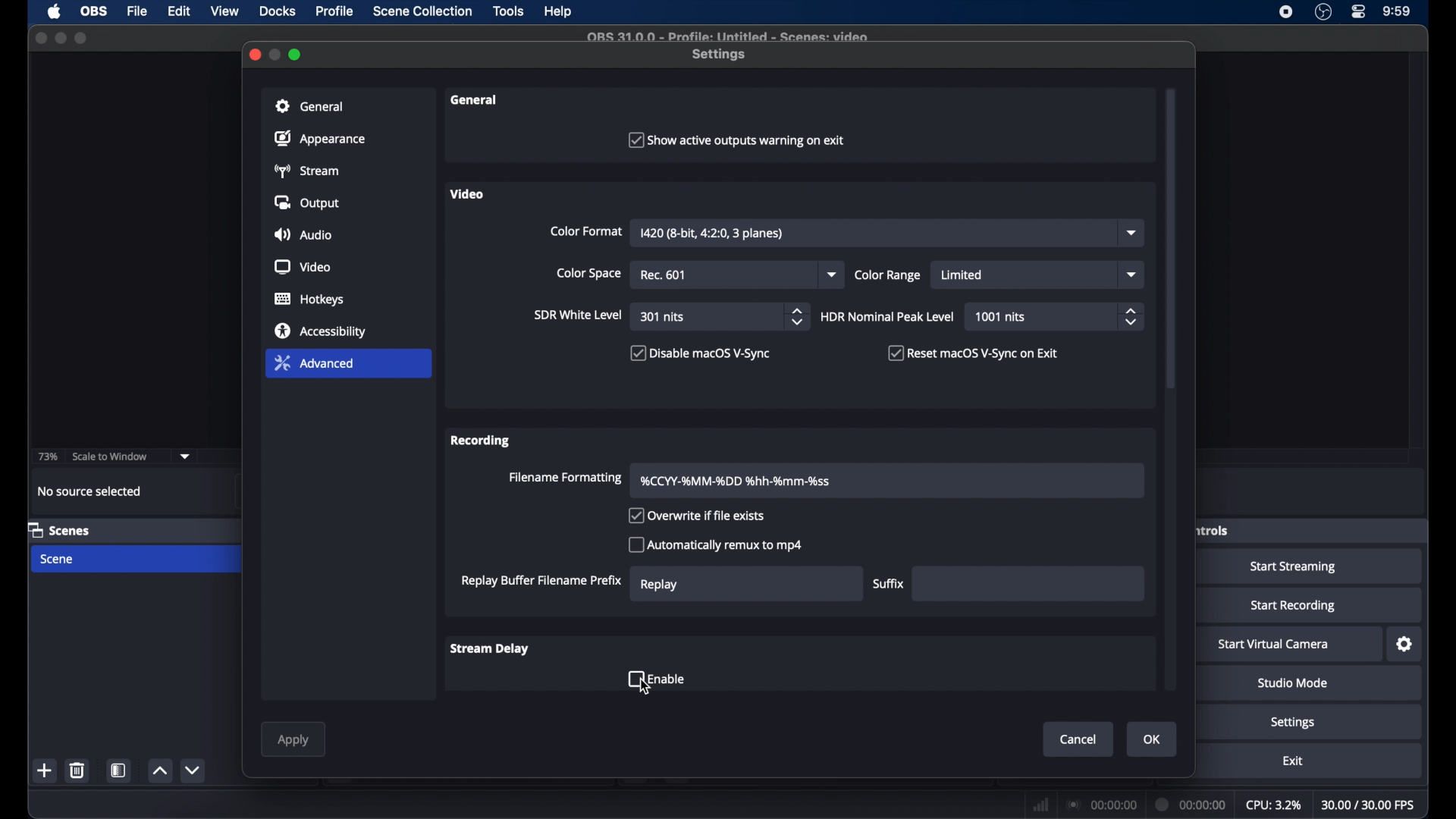 The height and width of the screenshot is (819, 1456). Describe the element at coordinates (194, 770) in the screenshot. I see `decrement` at that location.